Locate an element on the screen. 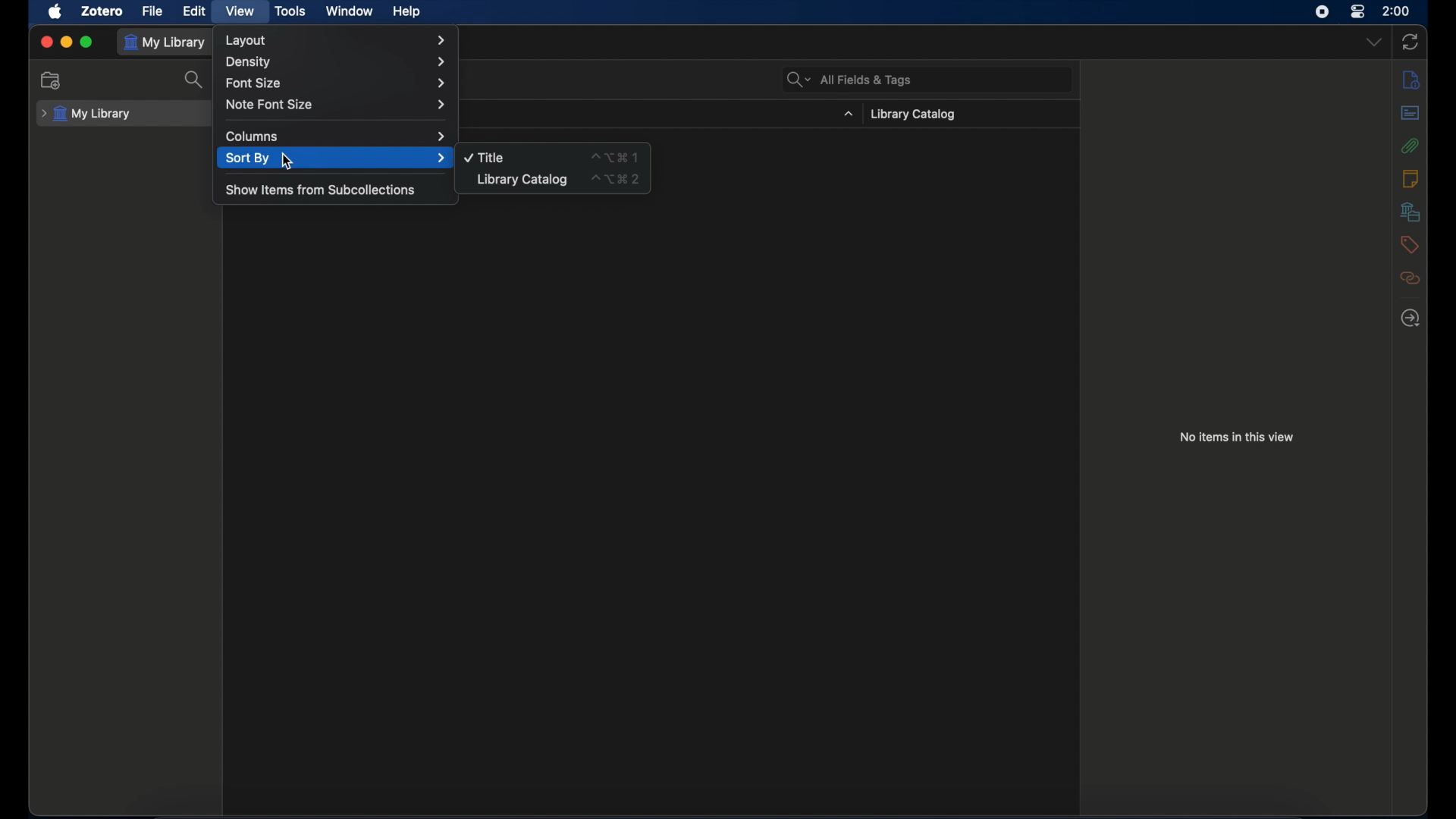 This screenshot has height=819, width=1456. shortcut is located at coordinates (616, 179).